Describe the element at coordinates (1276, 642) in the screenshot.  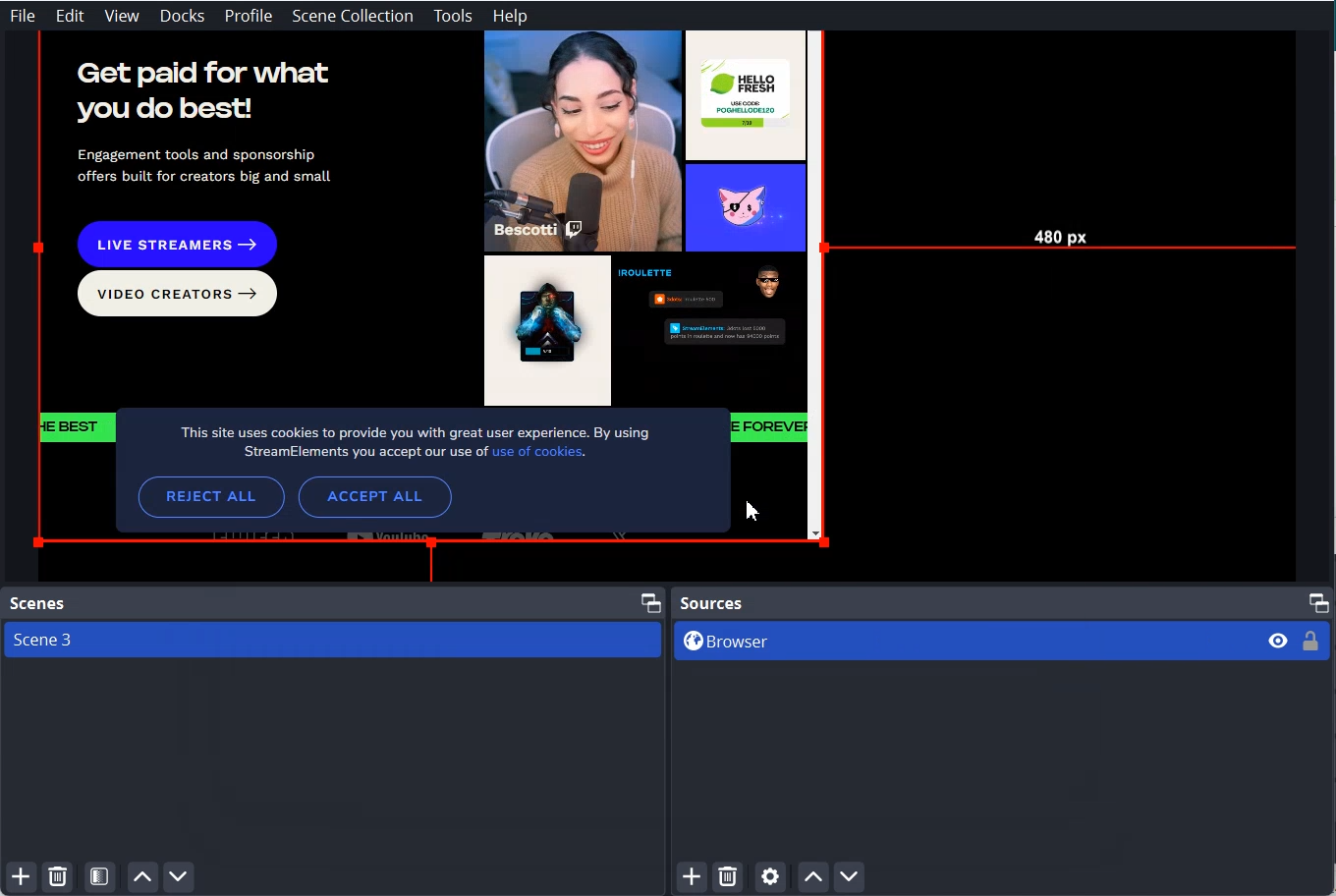
I see `Hide/Display` at that location.